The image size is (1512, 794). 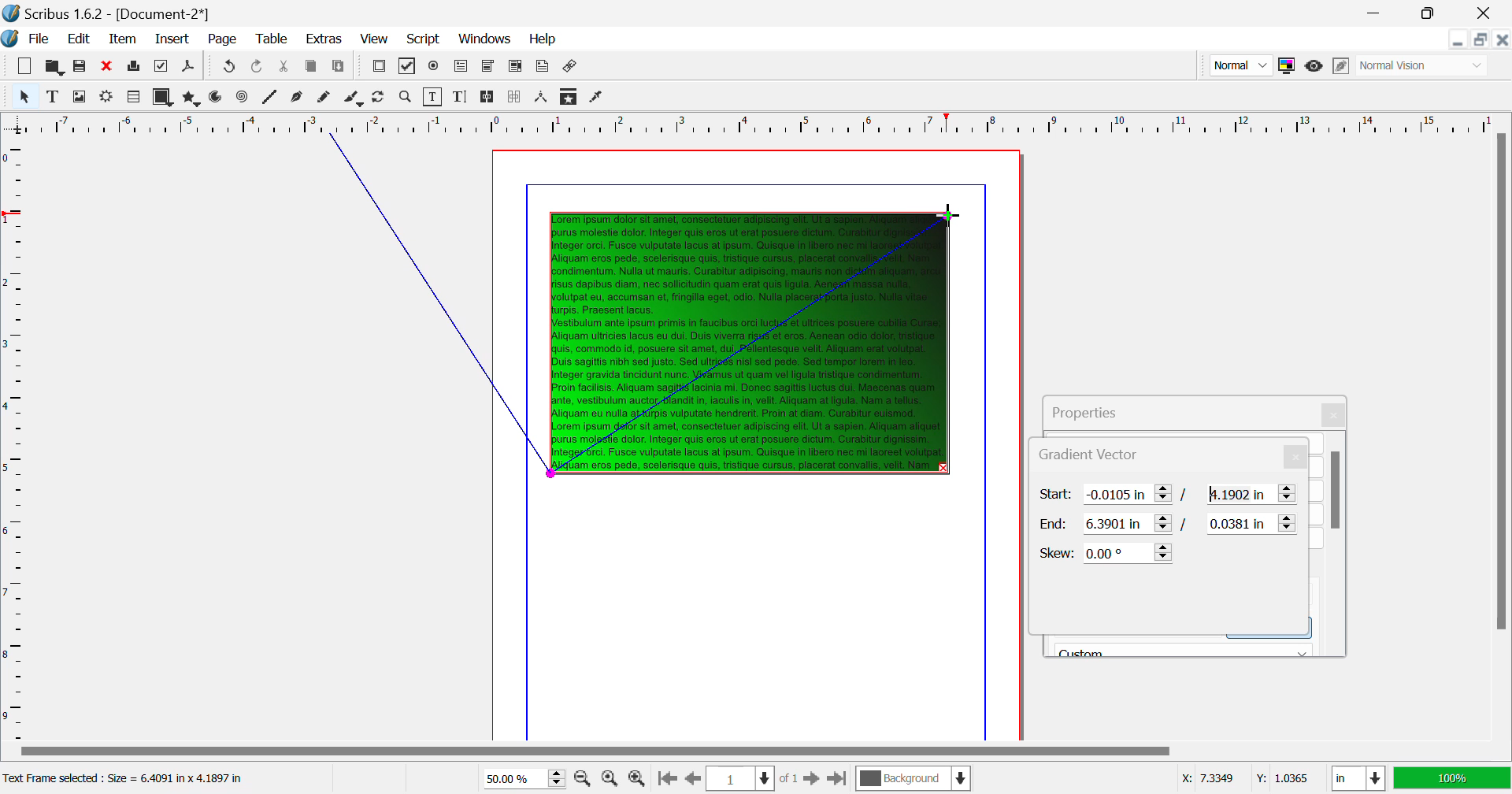 What do you see at coordinates (132, 98) in the screenshot?
I see `Render Frame` at bounding box center [132, 98].